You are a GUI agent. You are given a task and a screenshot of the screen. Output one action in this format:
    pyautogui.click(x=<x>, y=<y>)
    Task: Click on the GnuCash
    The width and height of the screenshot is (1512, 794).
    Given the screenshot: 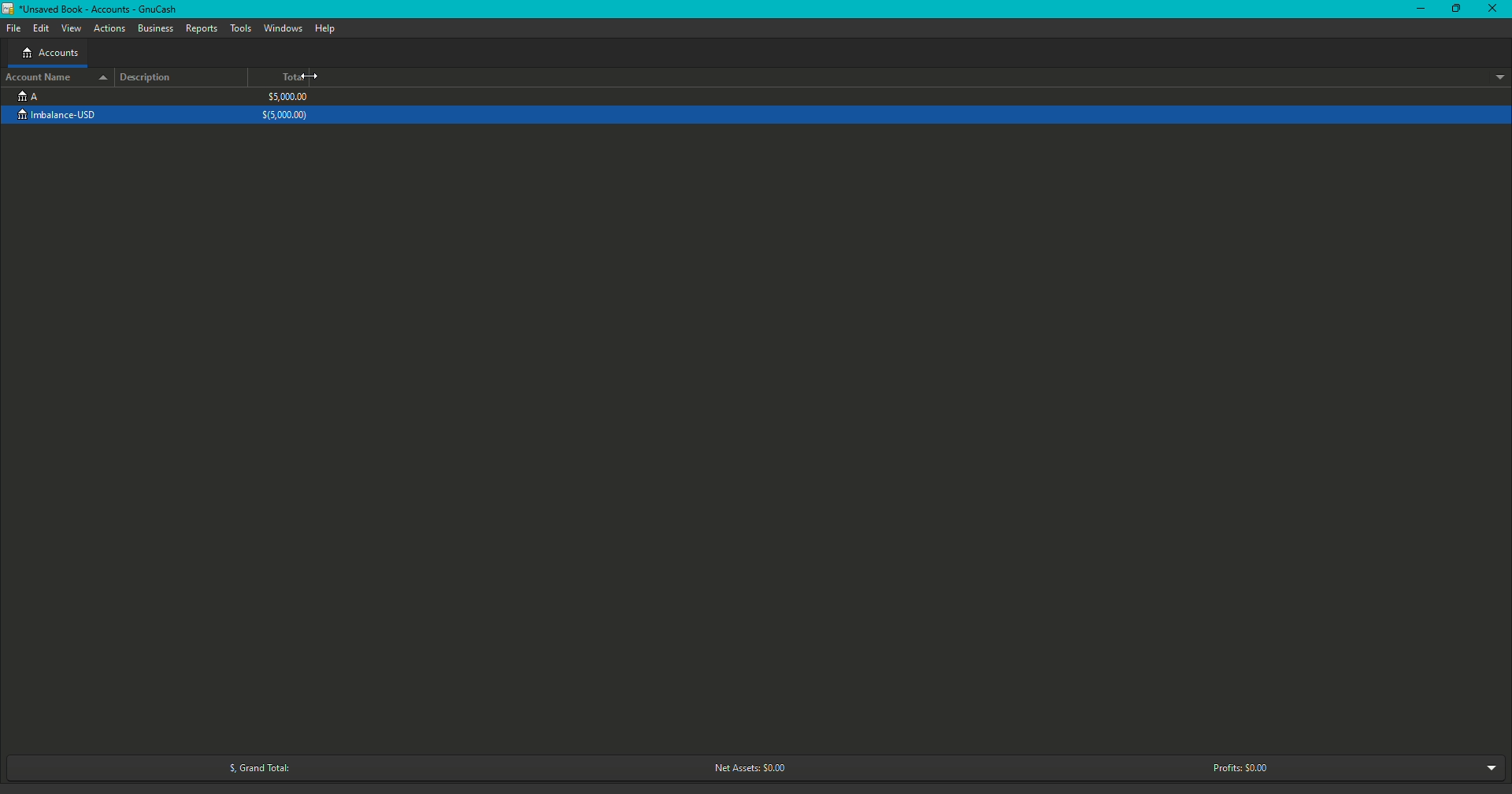 What is the action you would take?
    pyautogui.click(x=93, y=11)
    